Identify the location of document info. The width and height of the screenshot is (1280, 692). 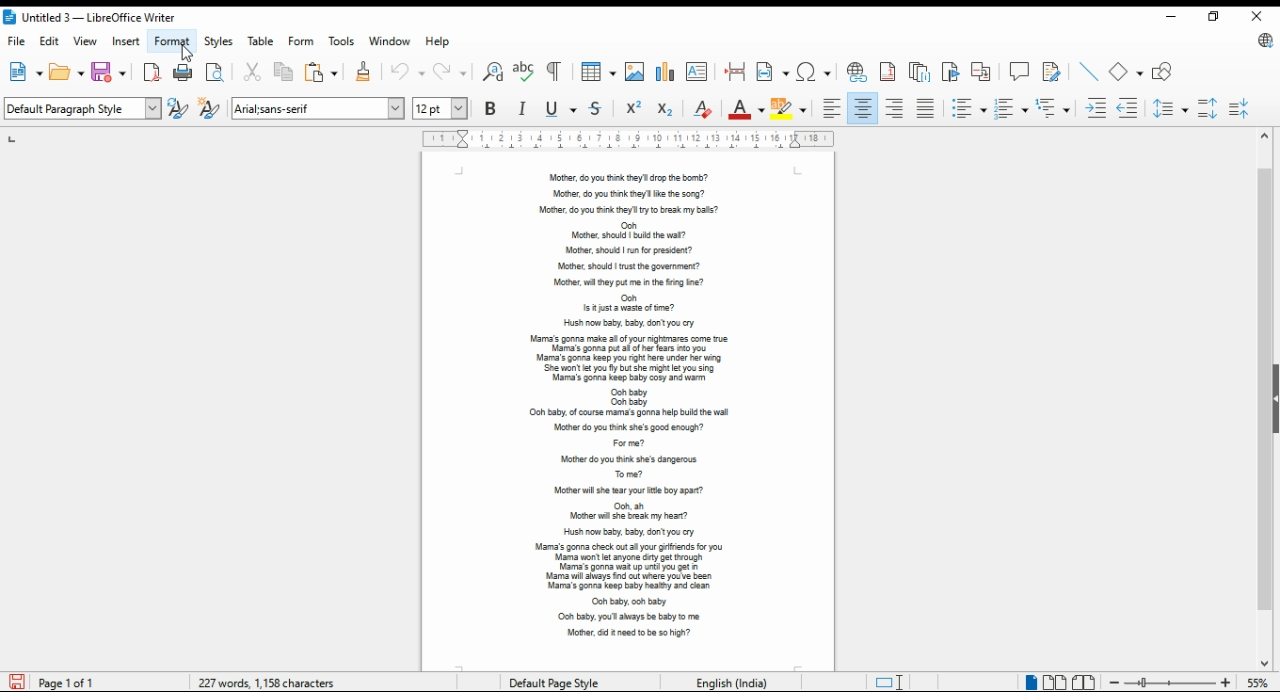
(269, 680).